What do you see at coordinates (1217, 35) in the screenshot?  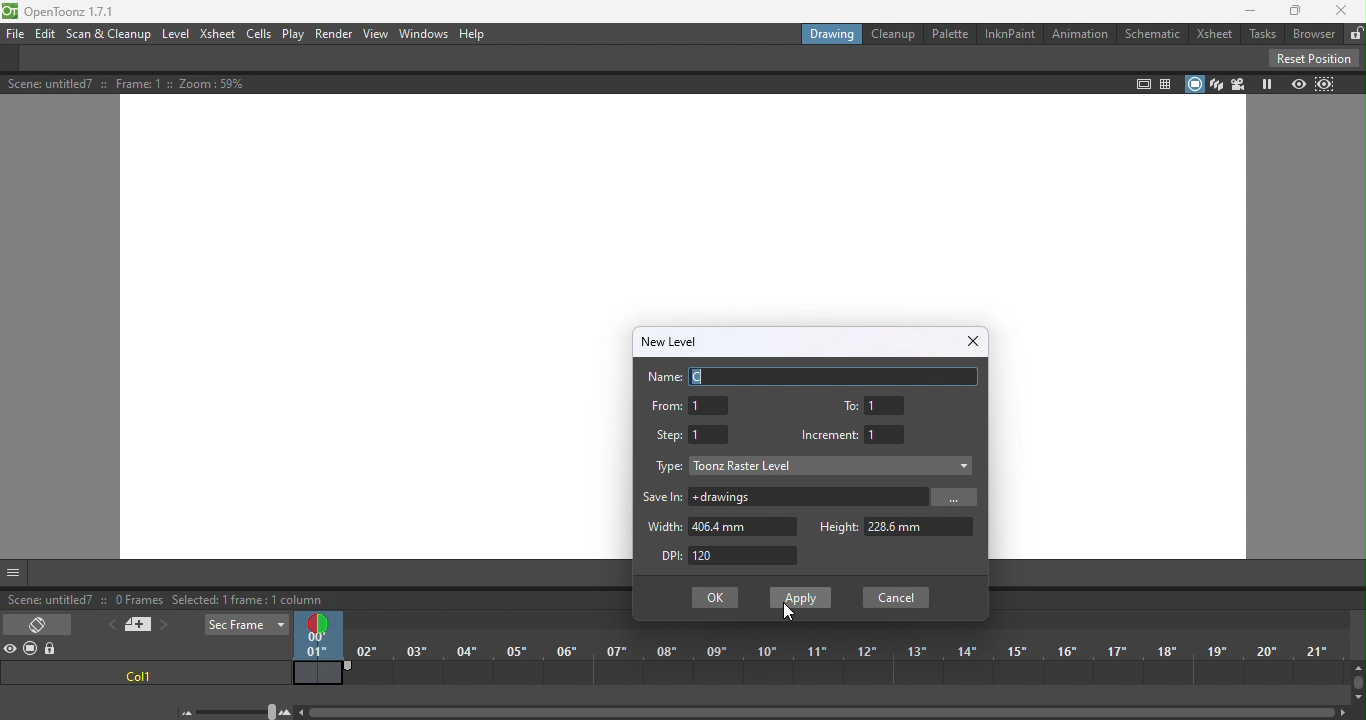 I see `Xsheet` at bounding box center [1217, 35].